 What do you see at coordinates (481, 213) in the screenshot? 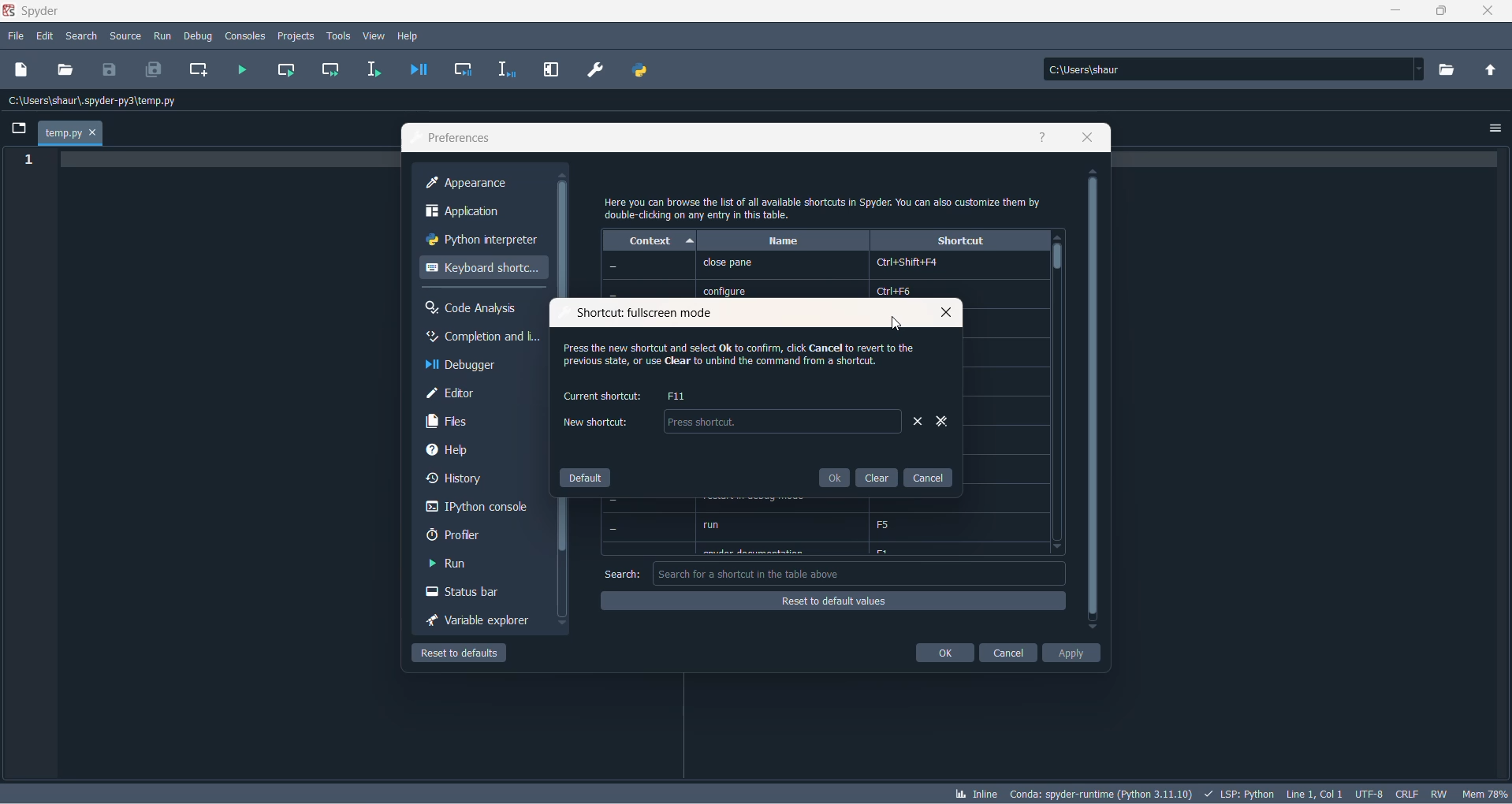
I see `application` at bounding box center [481, 213].